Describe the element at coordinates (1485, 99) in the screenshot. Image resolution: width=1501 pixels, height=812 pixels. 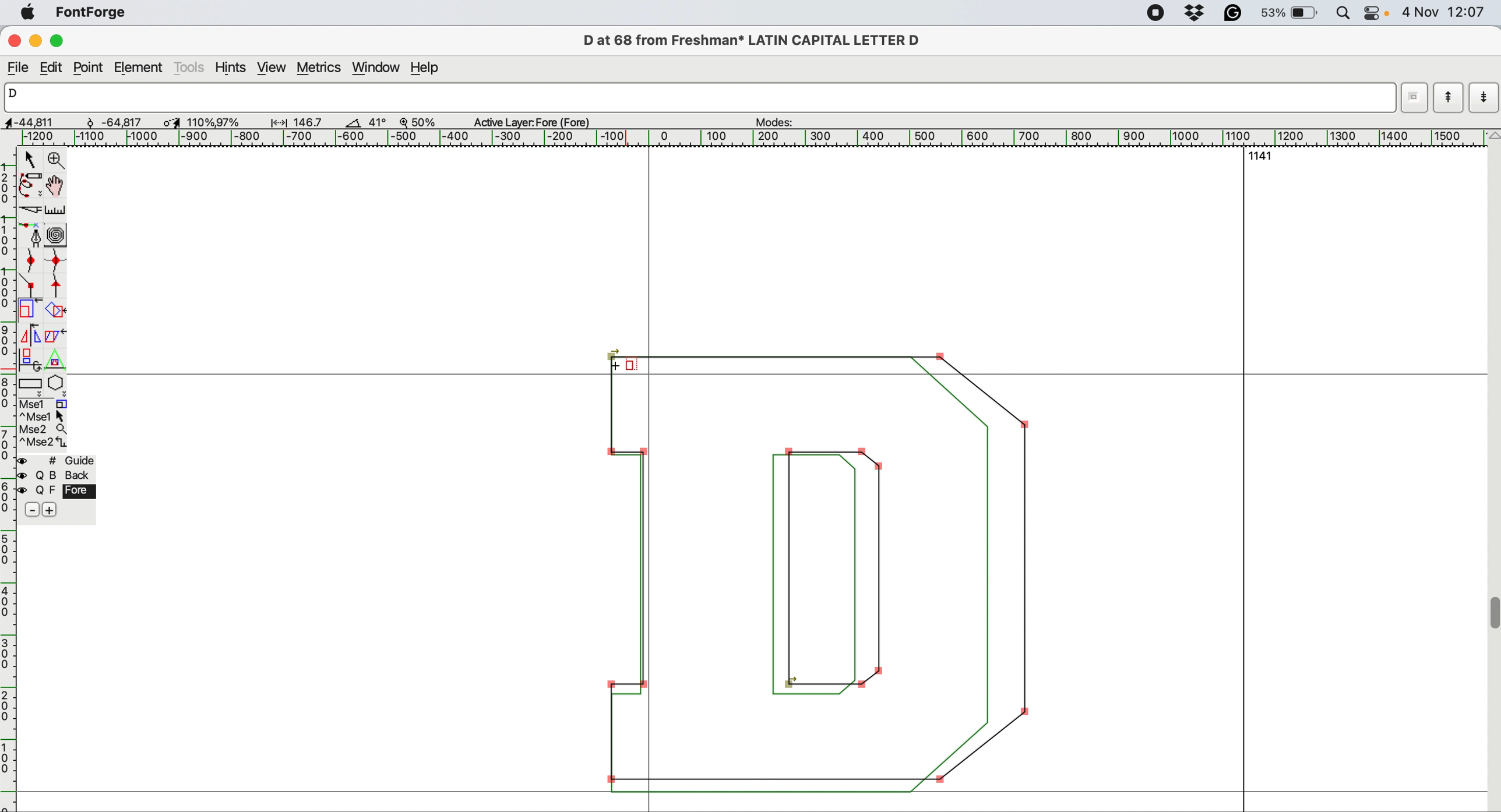
I see `next letter` at that location.